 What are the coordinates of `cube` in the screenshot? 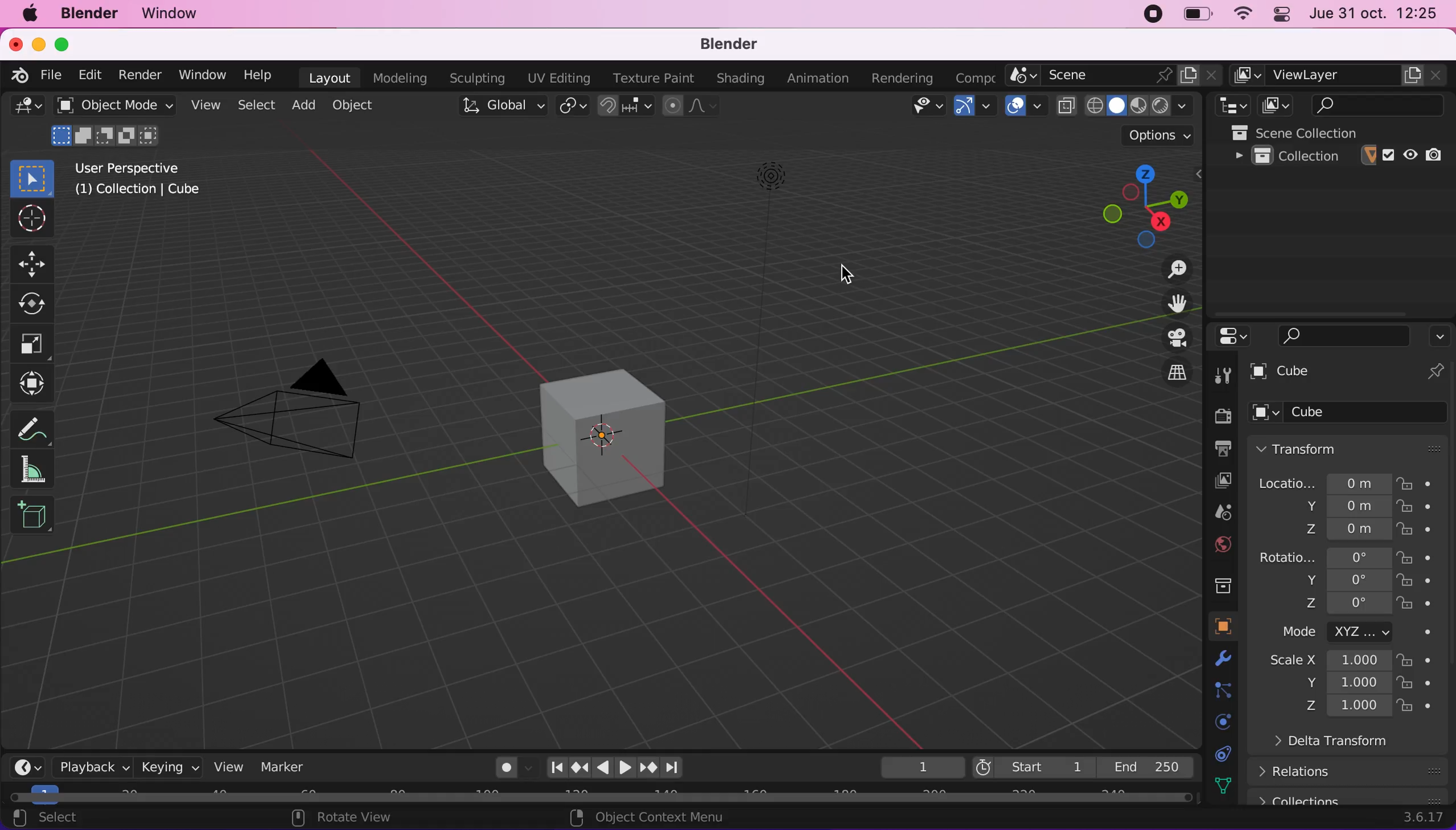 It's located at (1351, 414).